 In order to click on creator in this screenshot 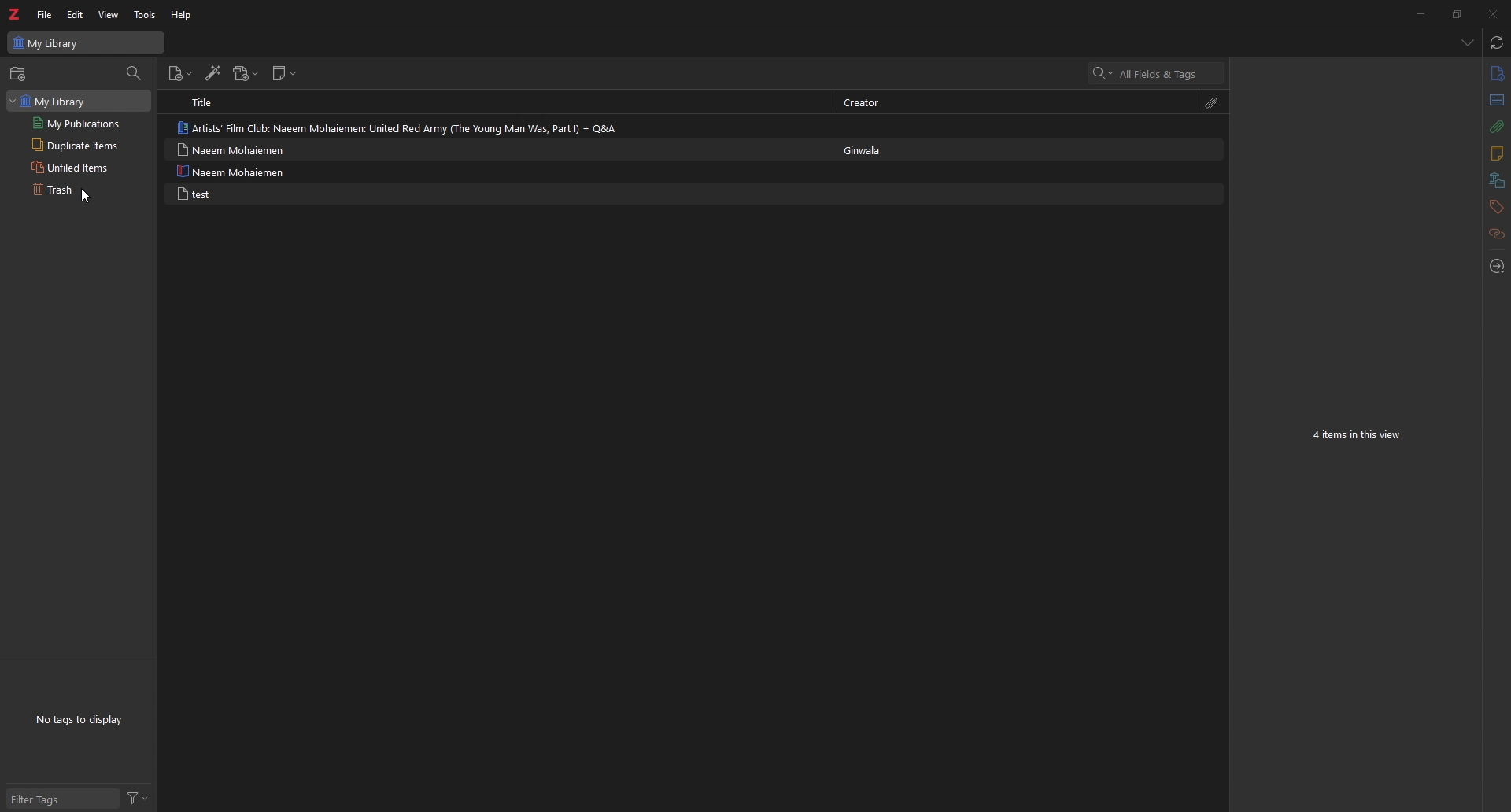, I will do `click(867, 101)`.